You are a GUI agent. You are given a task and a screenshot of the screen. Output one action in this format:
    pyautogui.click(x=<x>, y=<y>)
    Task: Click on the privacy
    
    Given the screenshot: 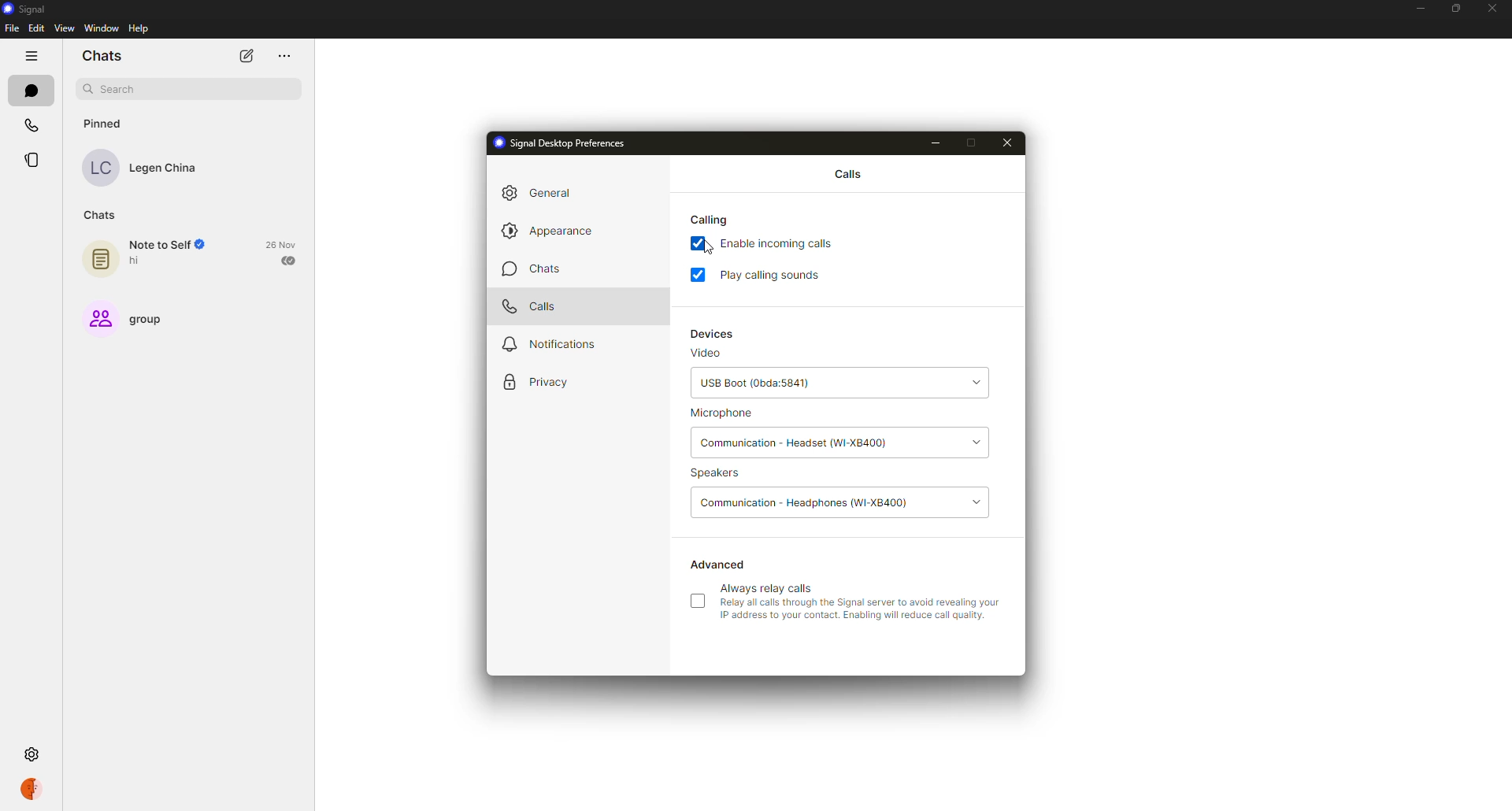 What is the action you would take?
    pyautogui.click(x=540, y=382)
    